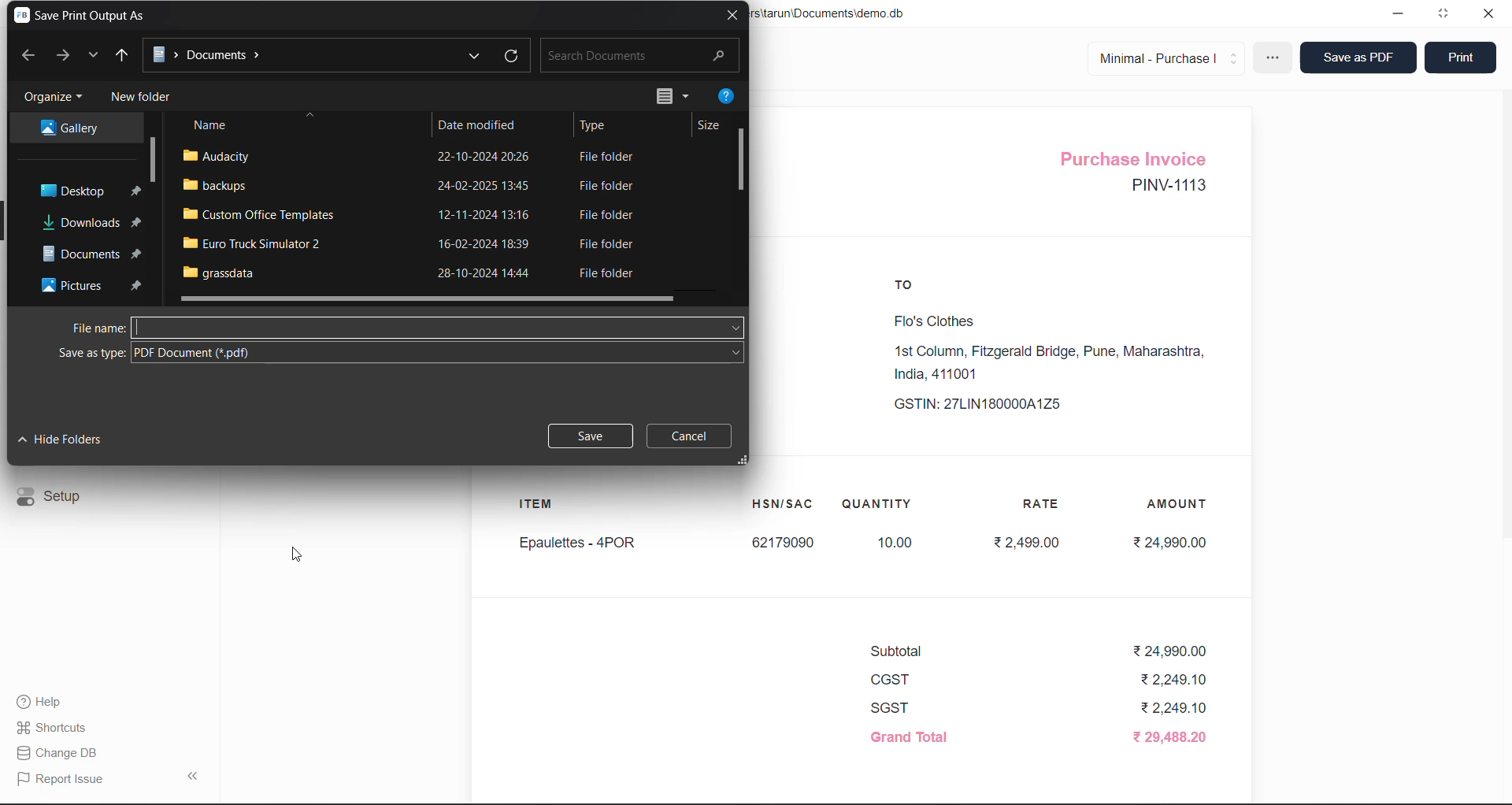  What do you see at coordinates (140, 328) in the screenshot?
I see `text cursor` at bounding box center [140, 328].